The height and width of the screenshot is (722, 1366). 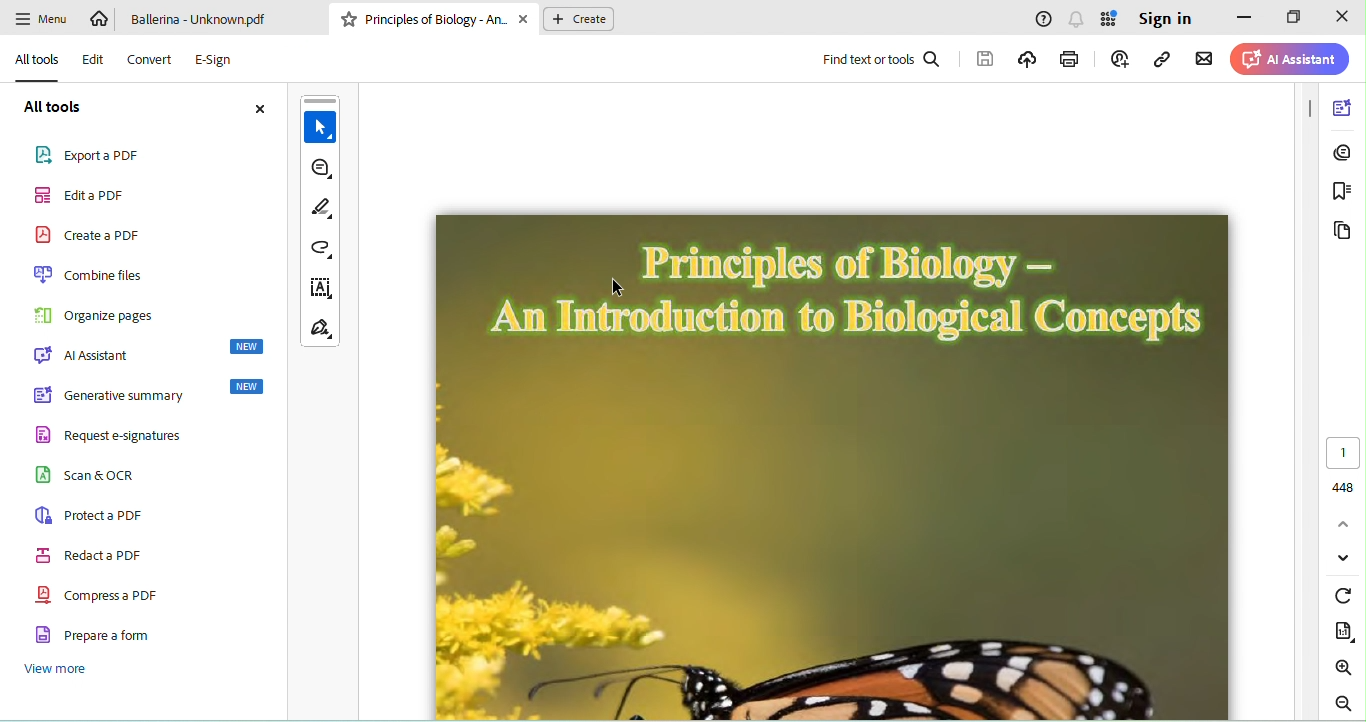 What do you see at coordinates (1167, 60) in the screenshot?
I see `get a link to this document to share with others` at bounding box center [1167, 60].